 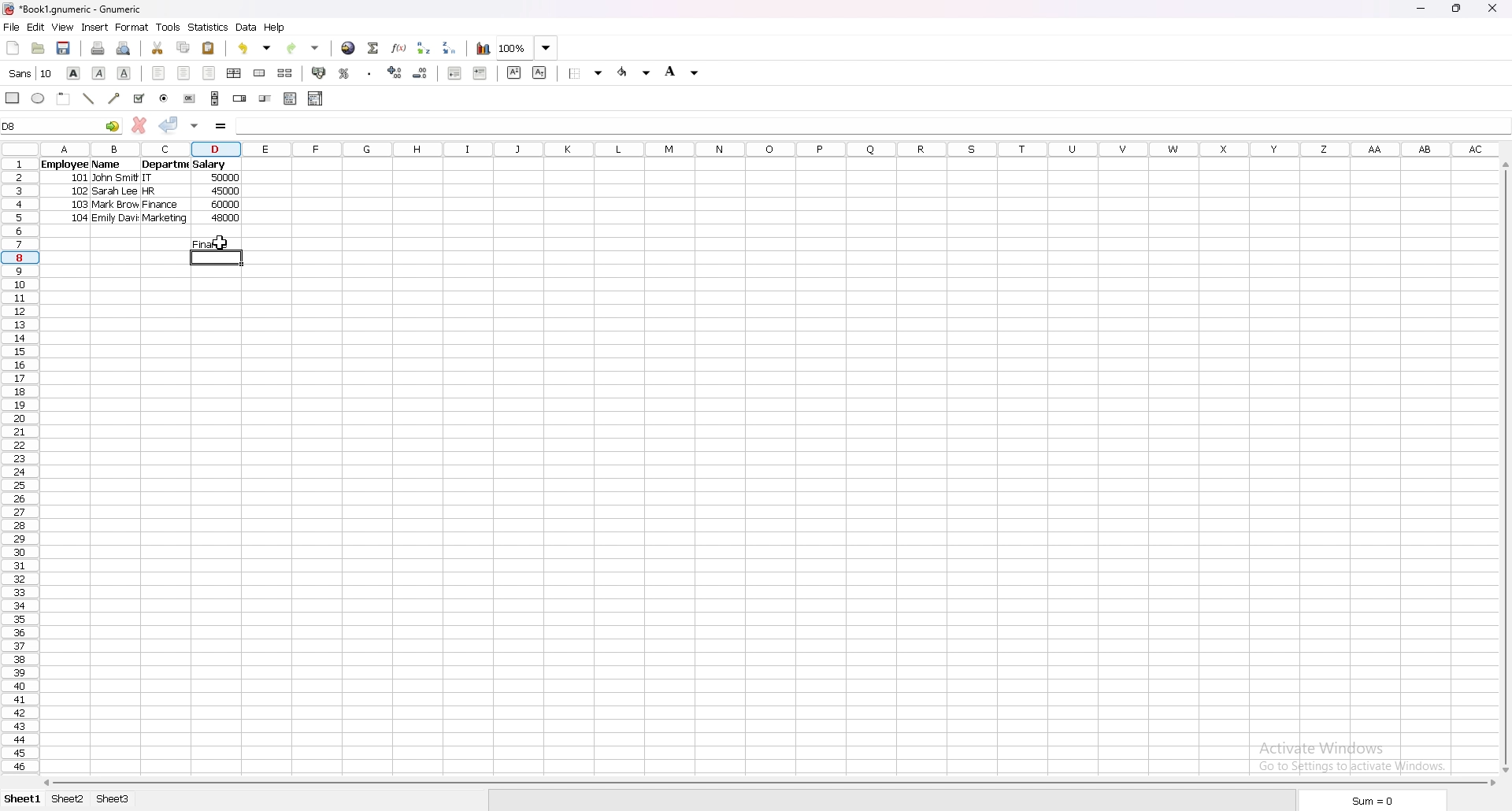 I want to click on 103, so click(x=80, y=206).